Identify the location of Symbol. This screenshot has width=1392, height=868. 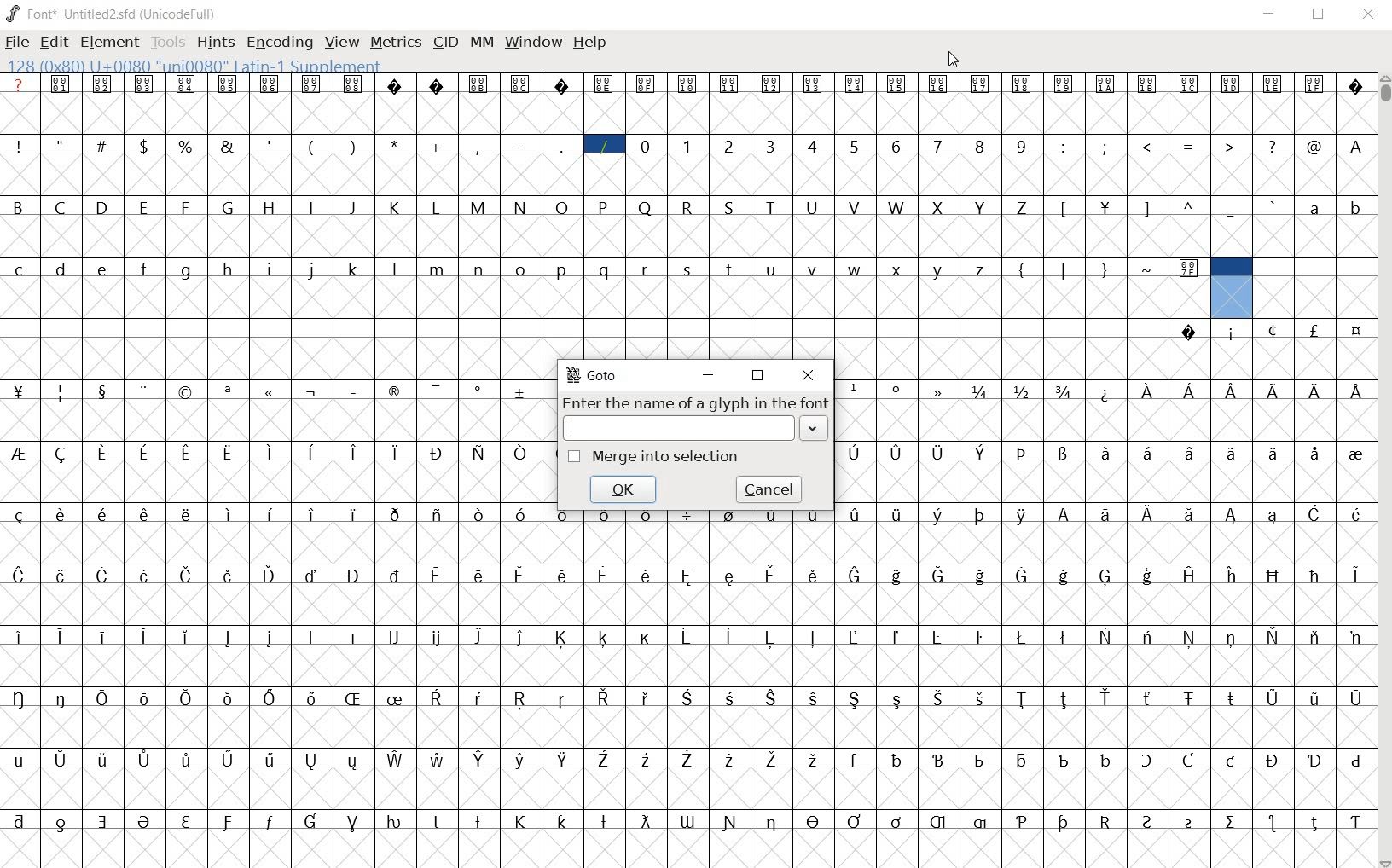
(769, 637).